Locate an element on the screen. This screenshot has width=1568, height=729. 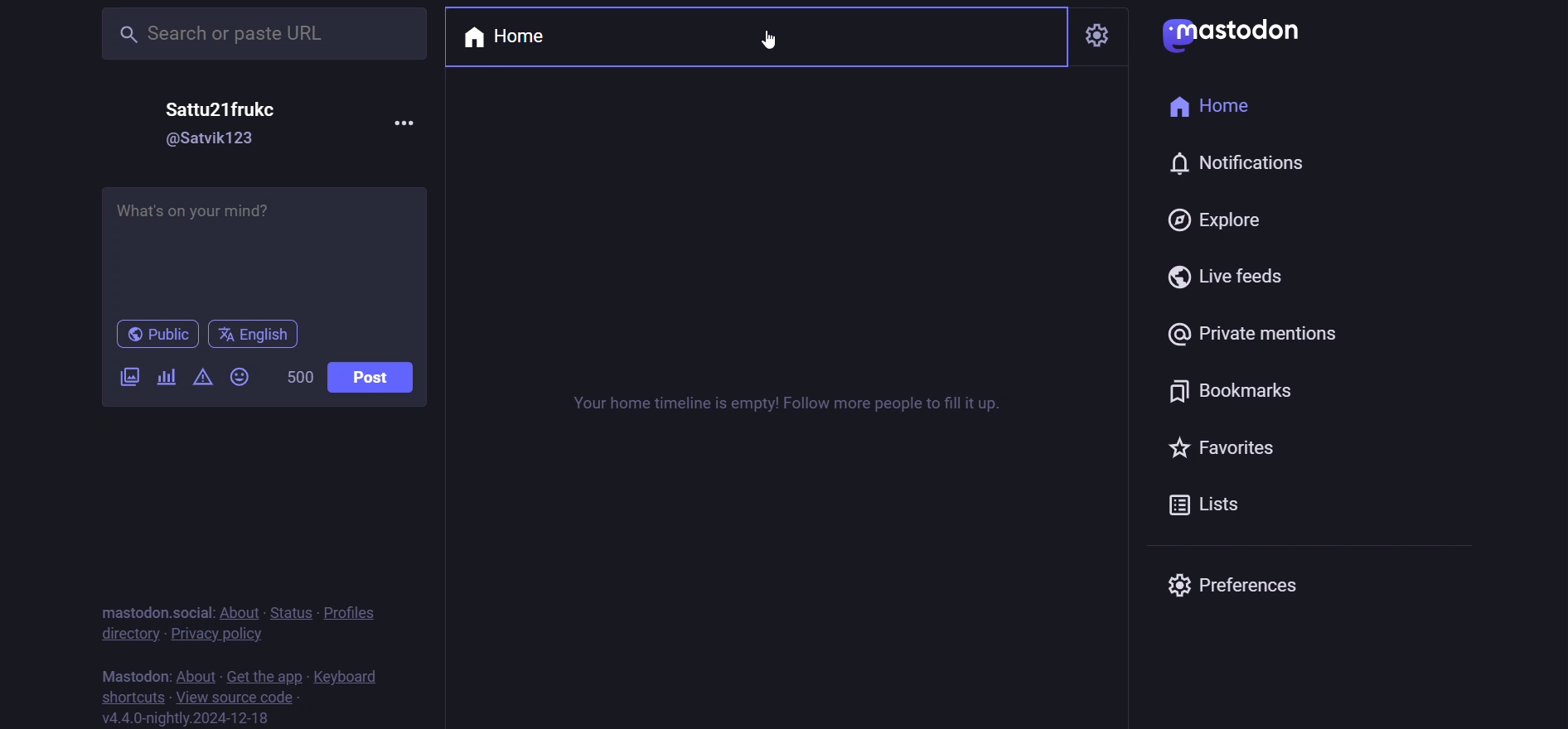
version is located at coordinates (188, 718).